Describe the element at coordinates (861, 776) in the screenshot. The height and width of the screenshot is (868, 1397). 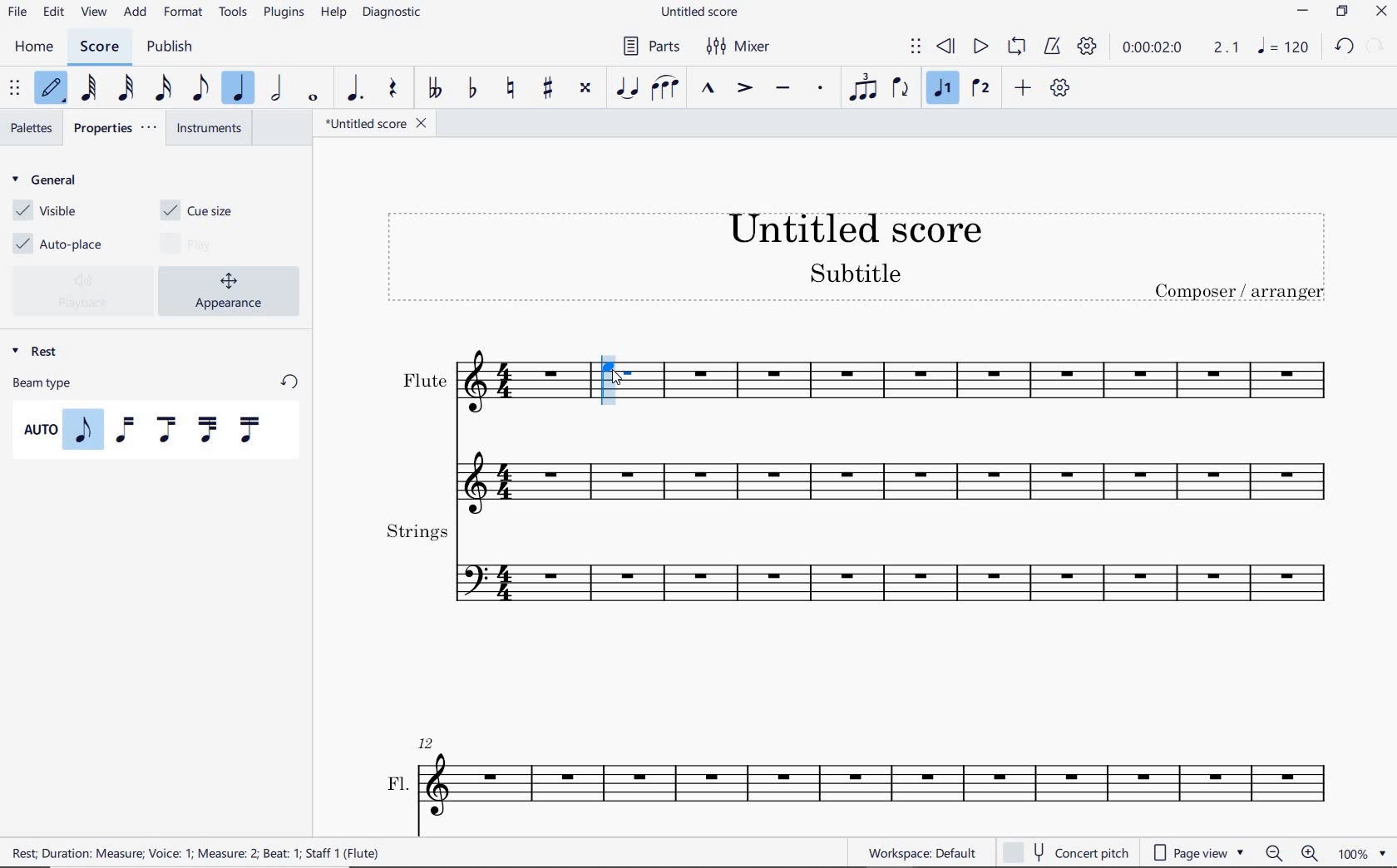
I see `fl.` at that location.